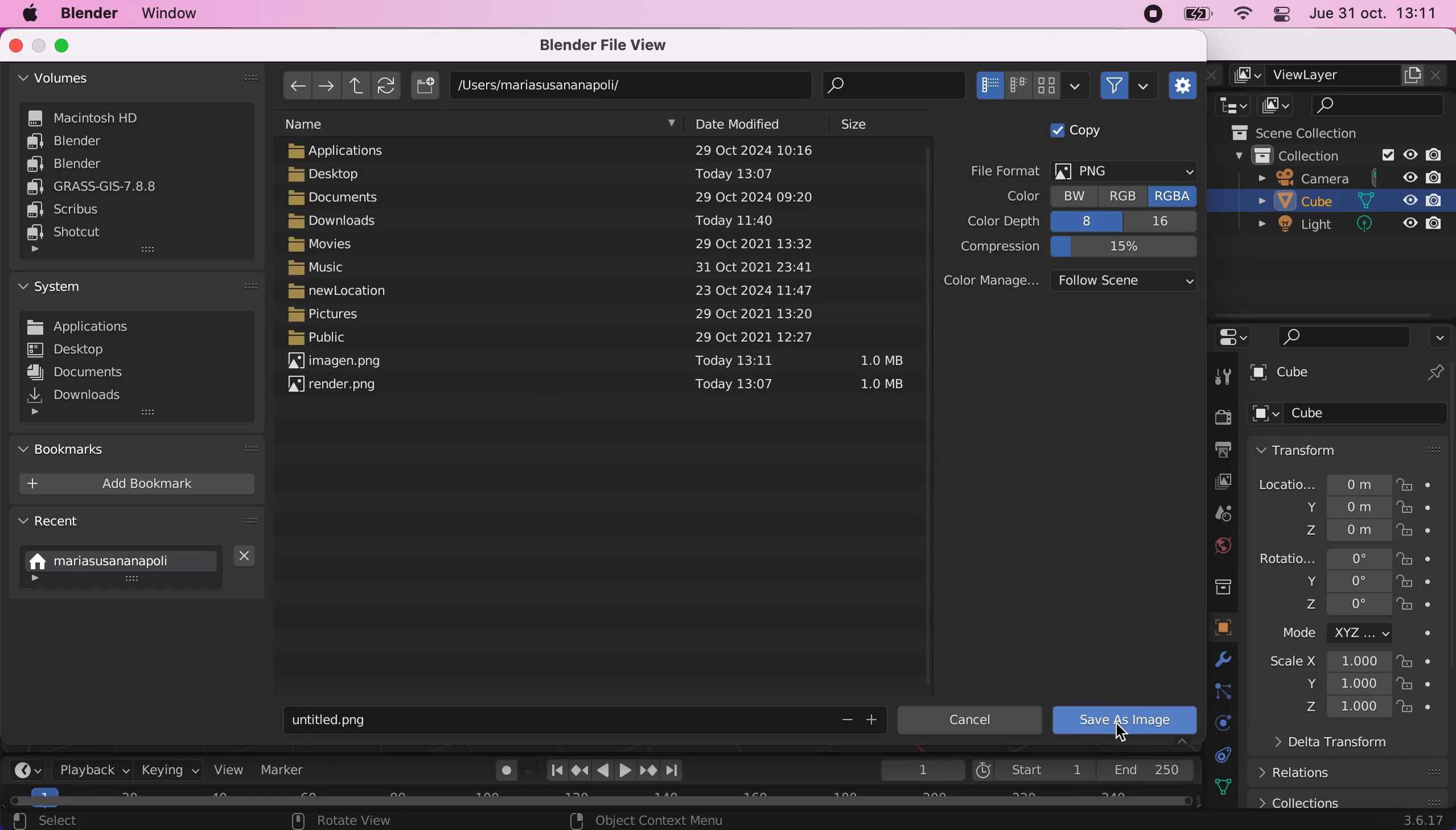 The image size is (1456, 830). What do you see at coordinates (1333, 529) in the screenshot?
I see `location z` at bounding box center [1333, 529].